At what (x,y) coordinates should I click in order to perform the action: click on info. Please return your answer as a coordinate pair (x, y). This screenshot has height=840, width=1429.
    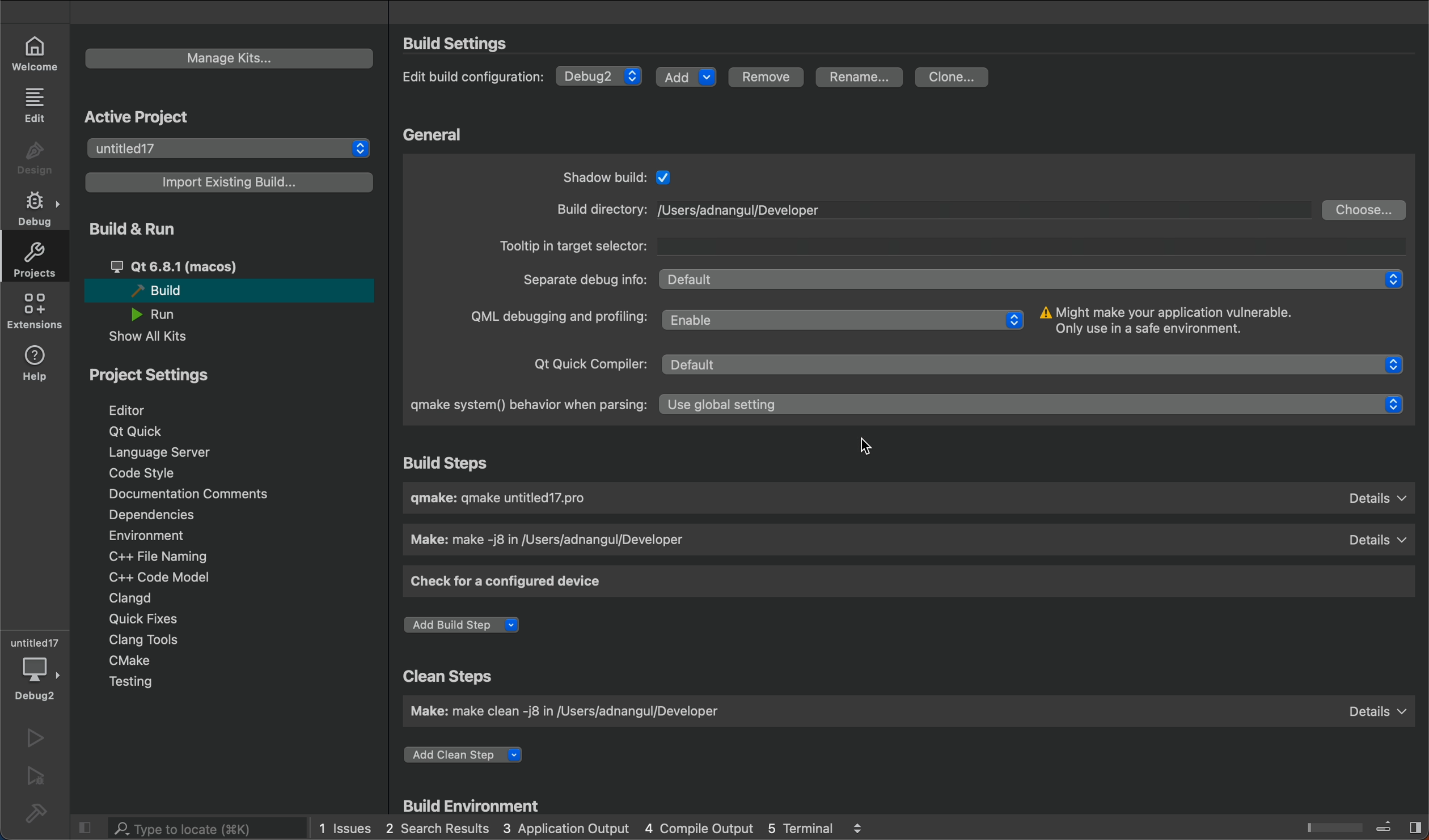
    Looking at the image, I should click on (1172, 320).